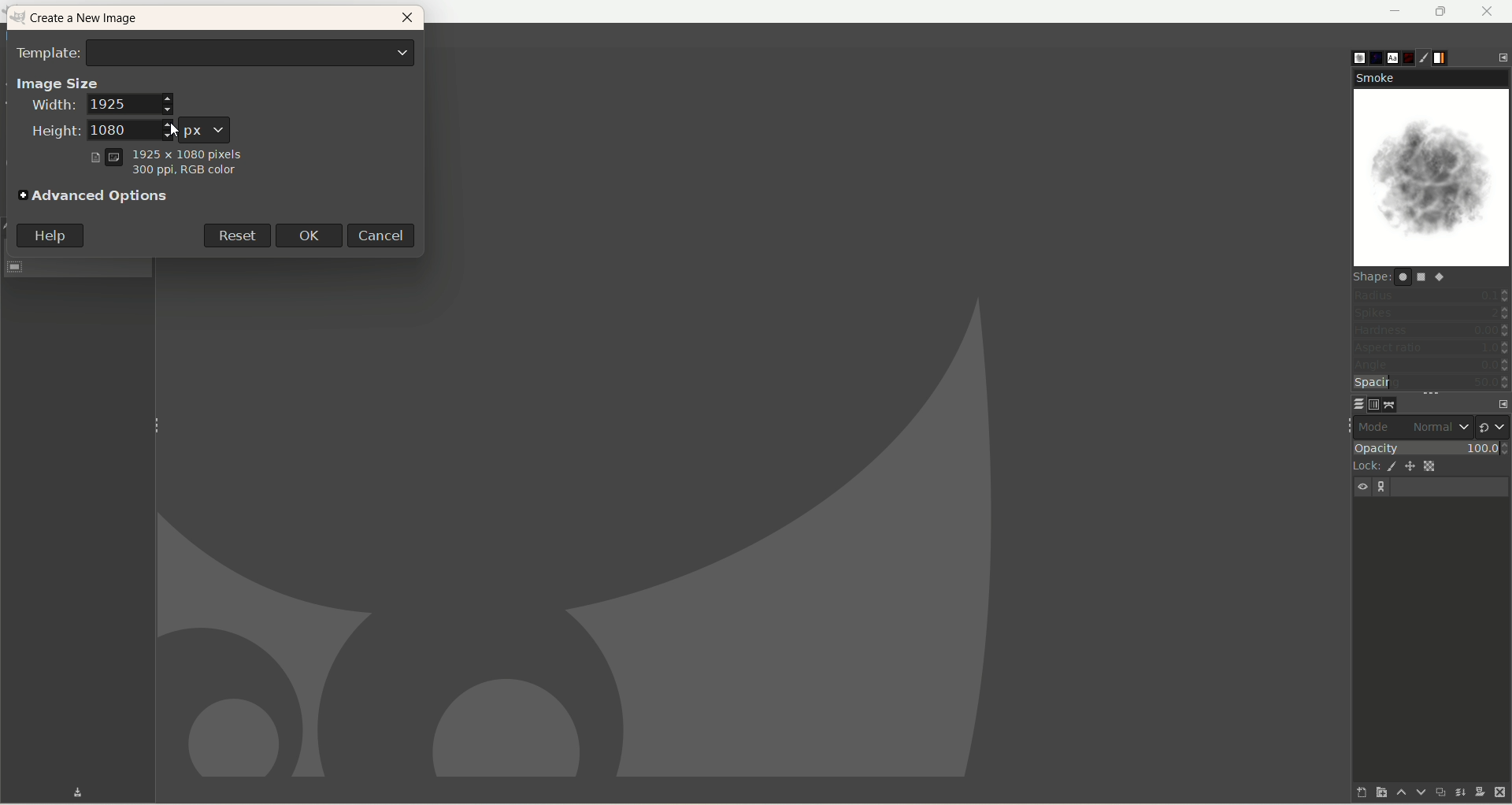 Image resolution: width=1512 pixels, height=805 pixels. I want to click on create a new layer with last used values, so click(1349, 792).